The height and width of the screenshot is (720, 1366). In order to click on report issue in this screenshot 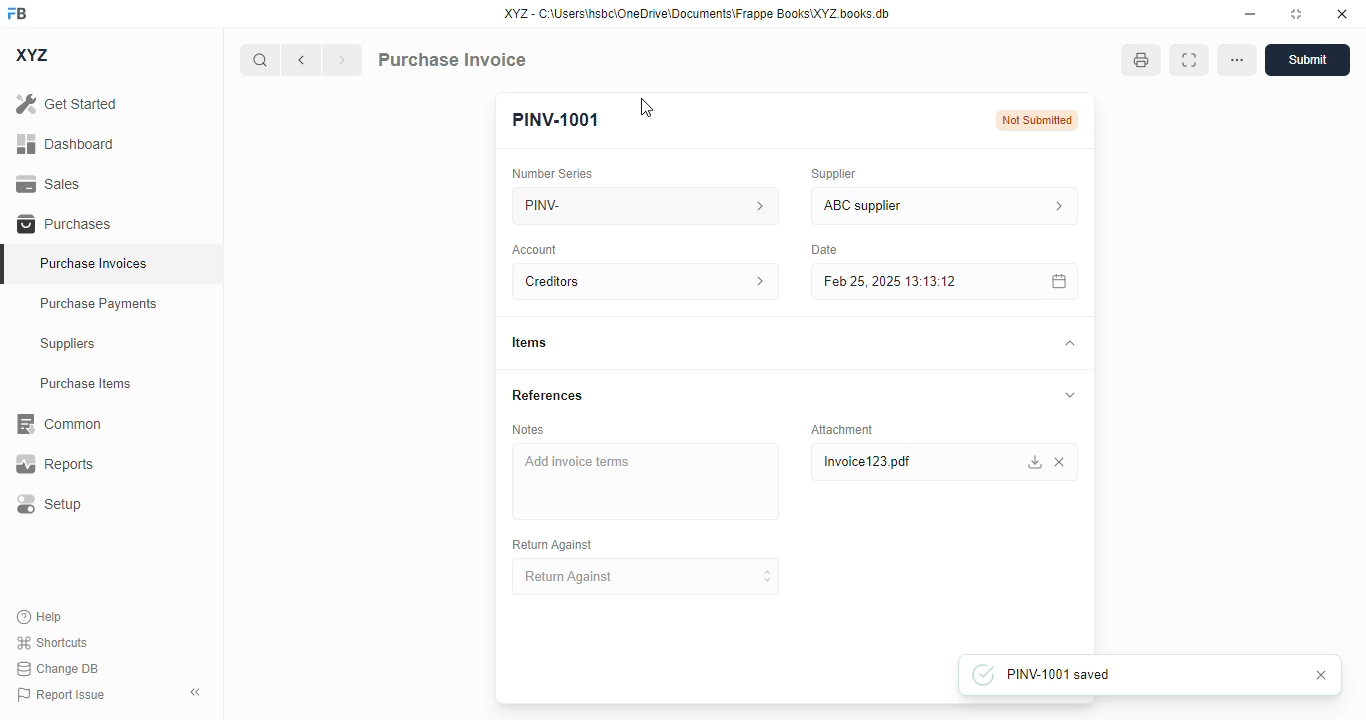, I will do `click(60, 695)`.